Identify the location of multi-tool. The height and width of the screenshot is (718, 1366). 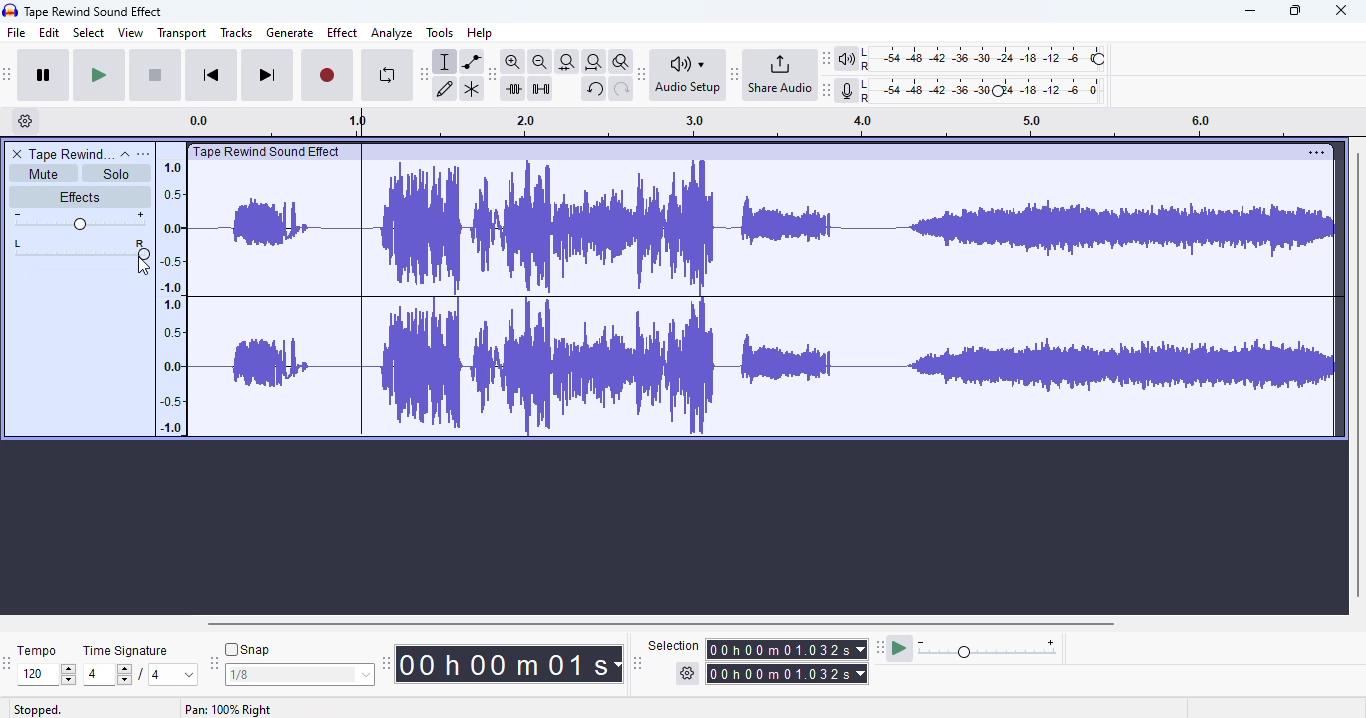
(472, 90).